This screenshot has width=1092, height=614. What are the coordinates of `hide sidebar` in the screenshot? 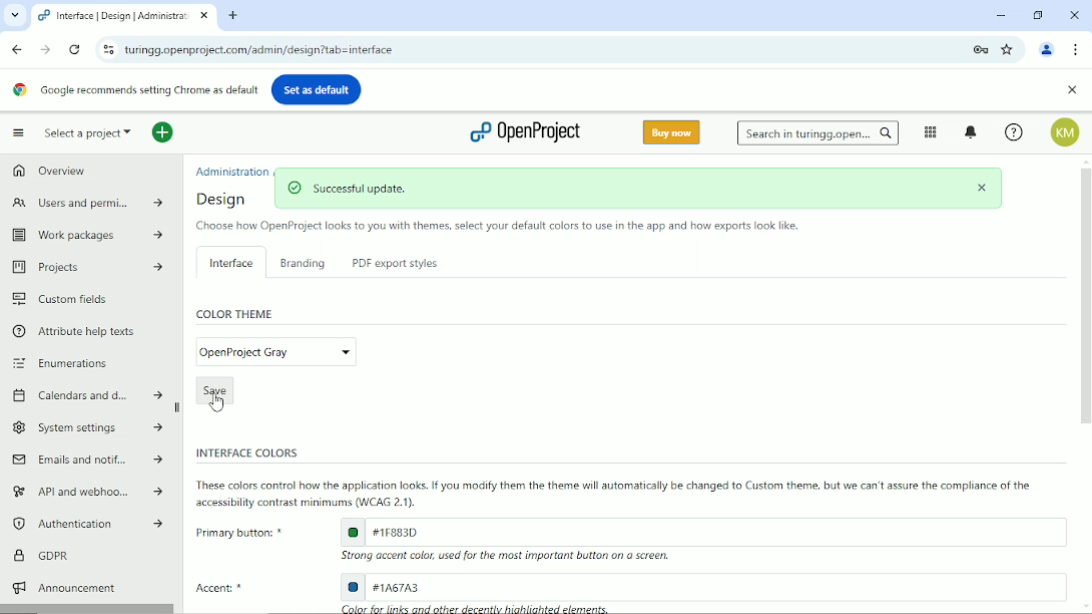 It's located at (179, 408).